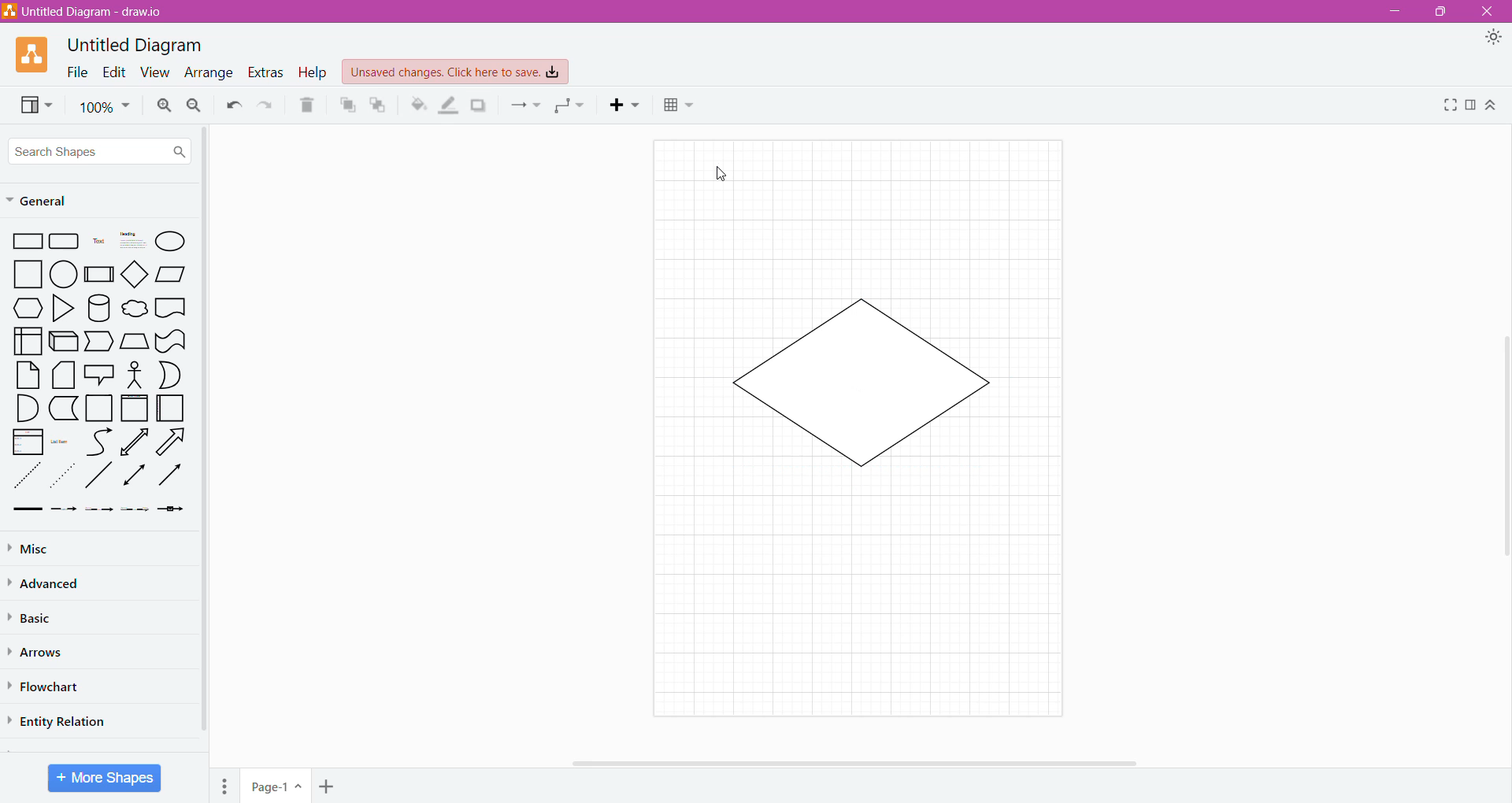 This screenshot has height=803, width=1512. What do you see at coordinates (134, 342) in the screenshot?
I see `Trapezoid` at bounding box center [134, 342].